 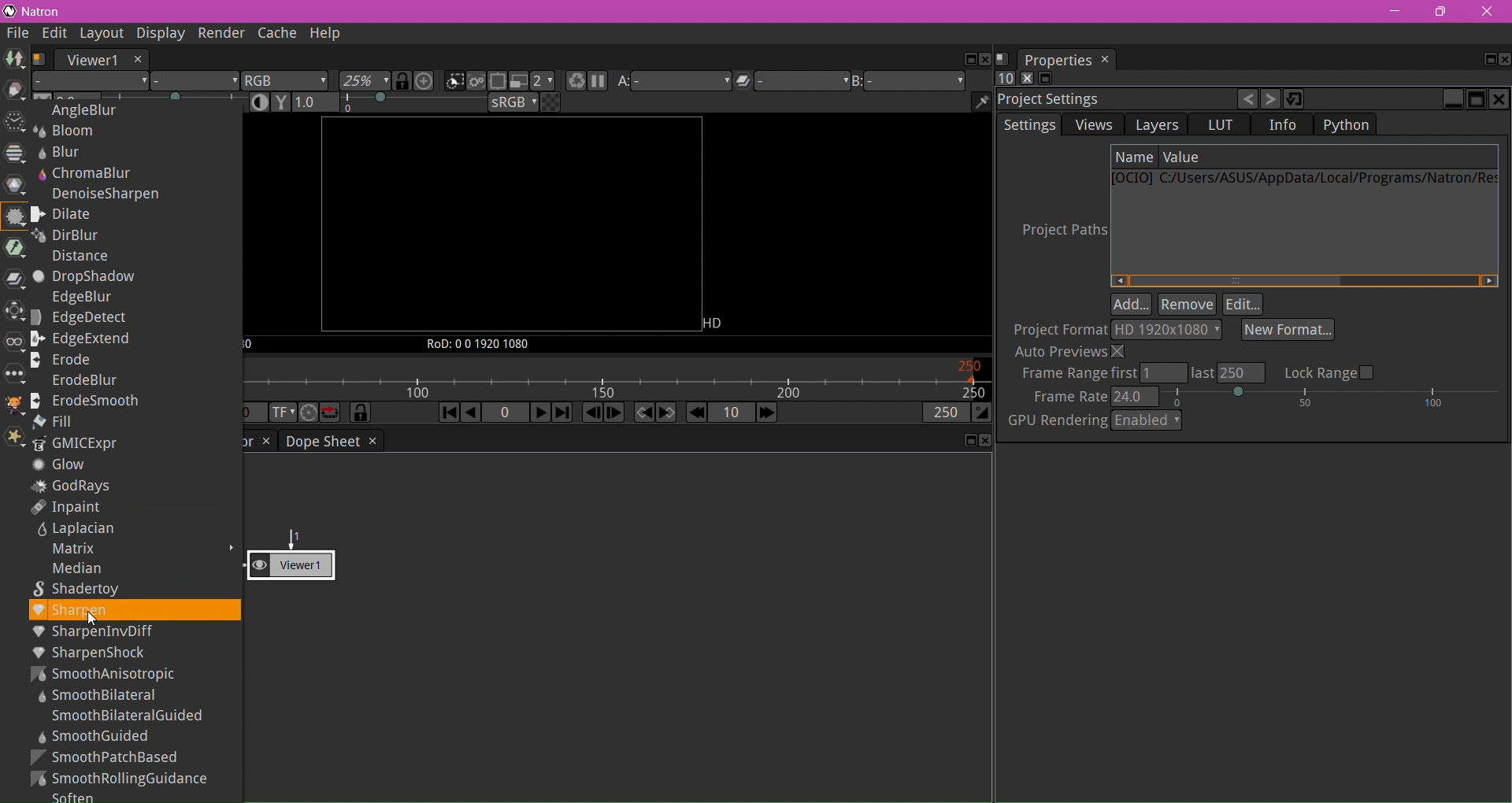 What do you see at coordinates (276, 35) in the screenshot?
I see `Cache` at bounding box center [276, 35].